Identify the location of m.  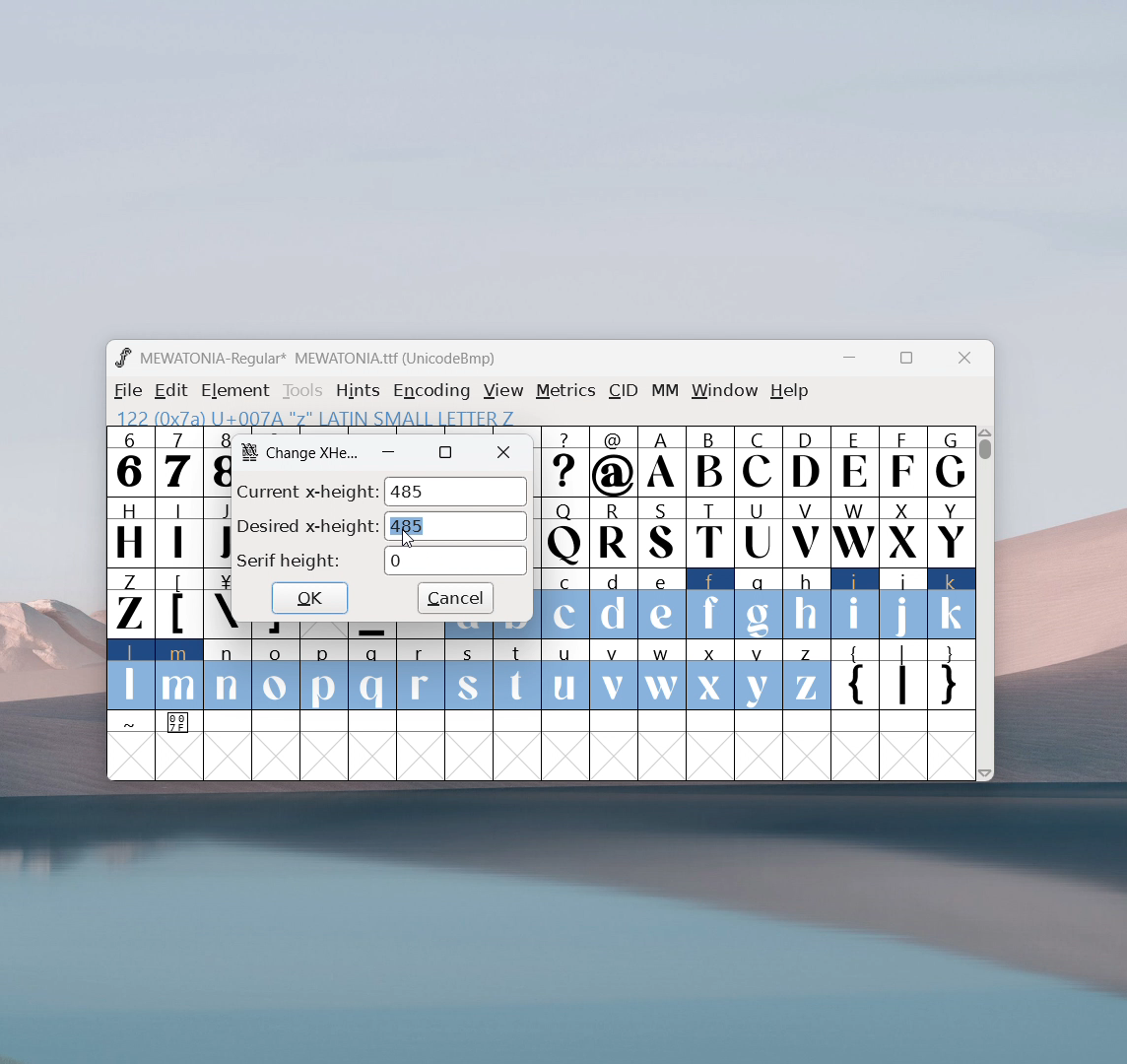
(179, 675).